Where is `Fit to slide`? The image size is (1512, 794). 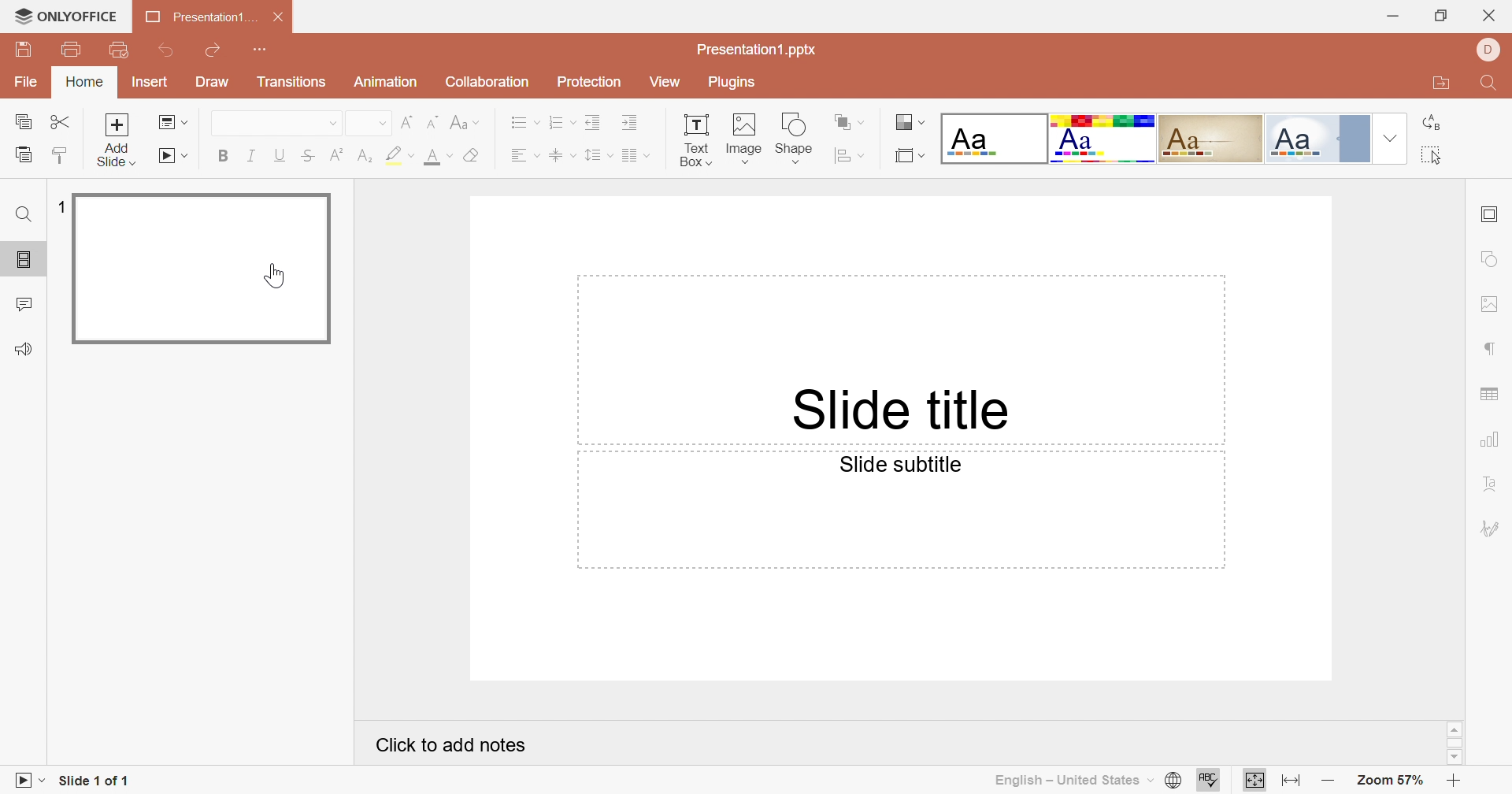
Fit to slide is located at coordinates (1257, 781).